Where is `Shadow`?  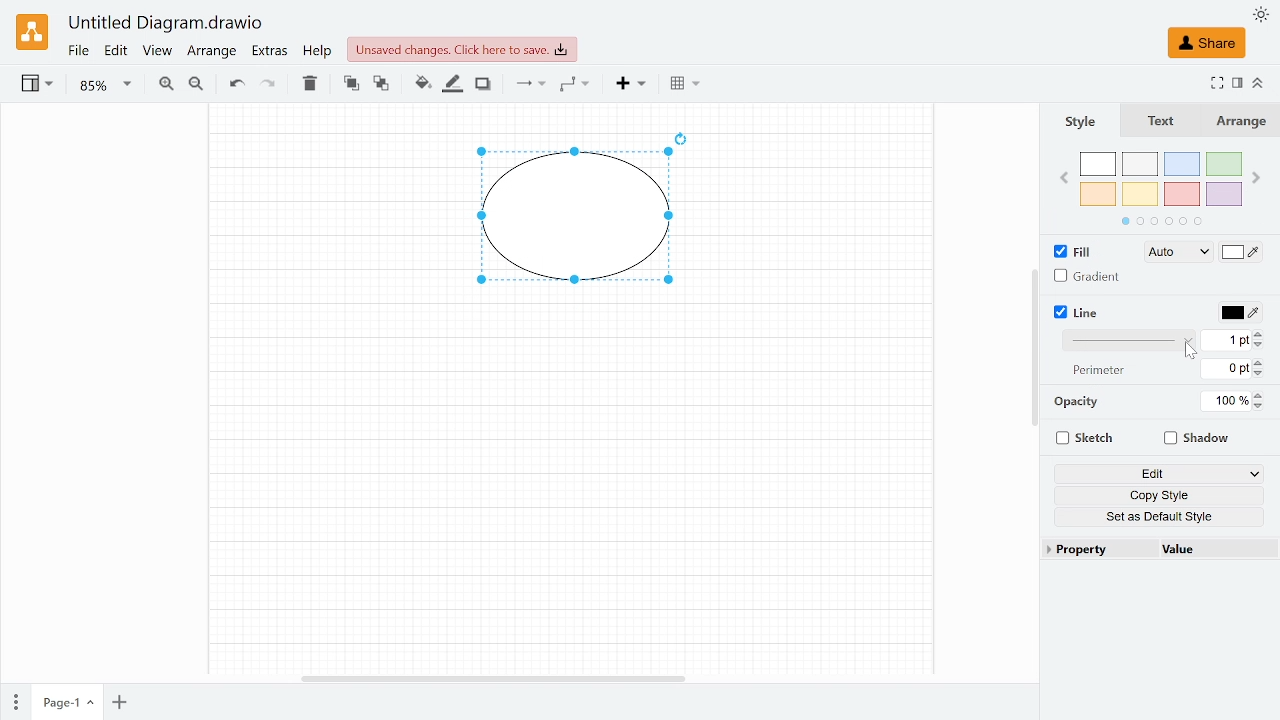
Shadow is located at coordinates (1199, 440).